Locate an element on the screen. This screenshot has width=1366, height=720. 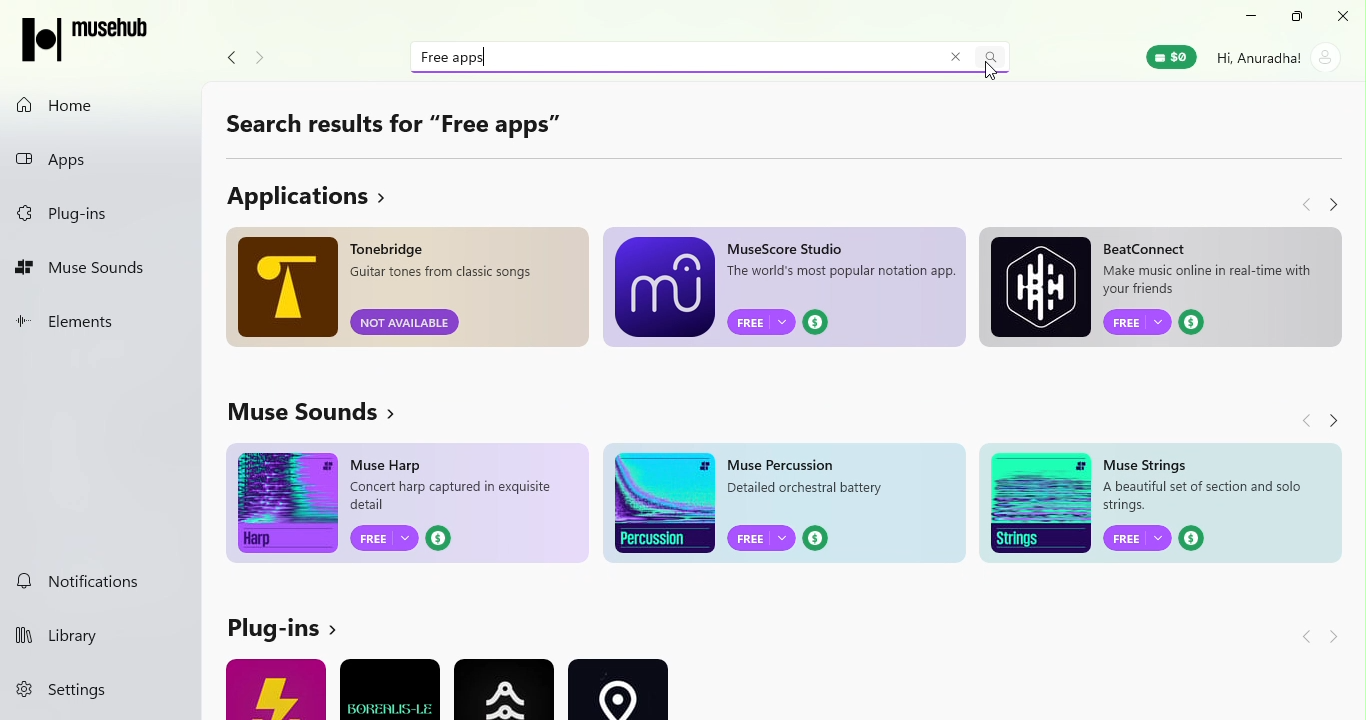
Cursor is located at coordinates (995, 66).